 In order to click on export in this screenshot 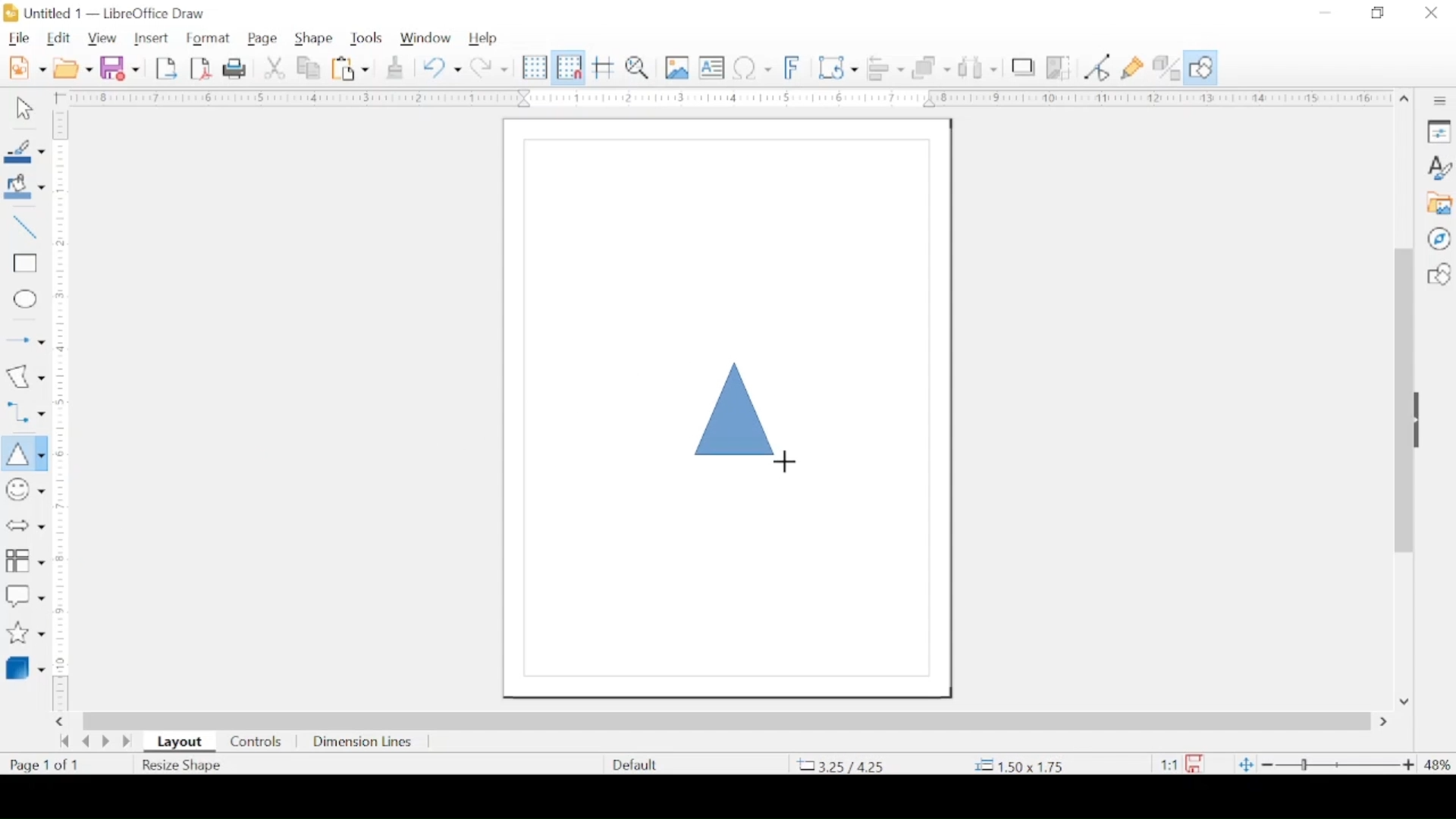, I will do `click(166, 68)`.